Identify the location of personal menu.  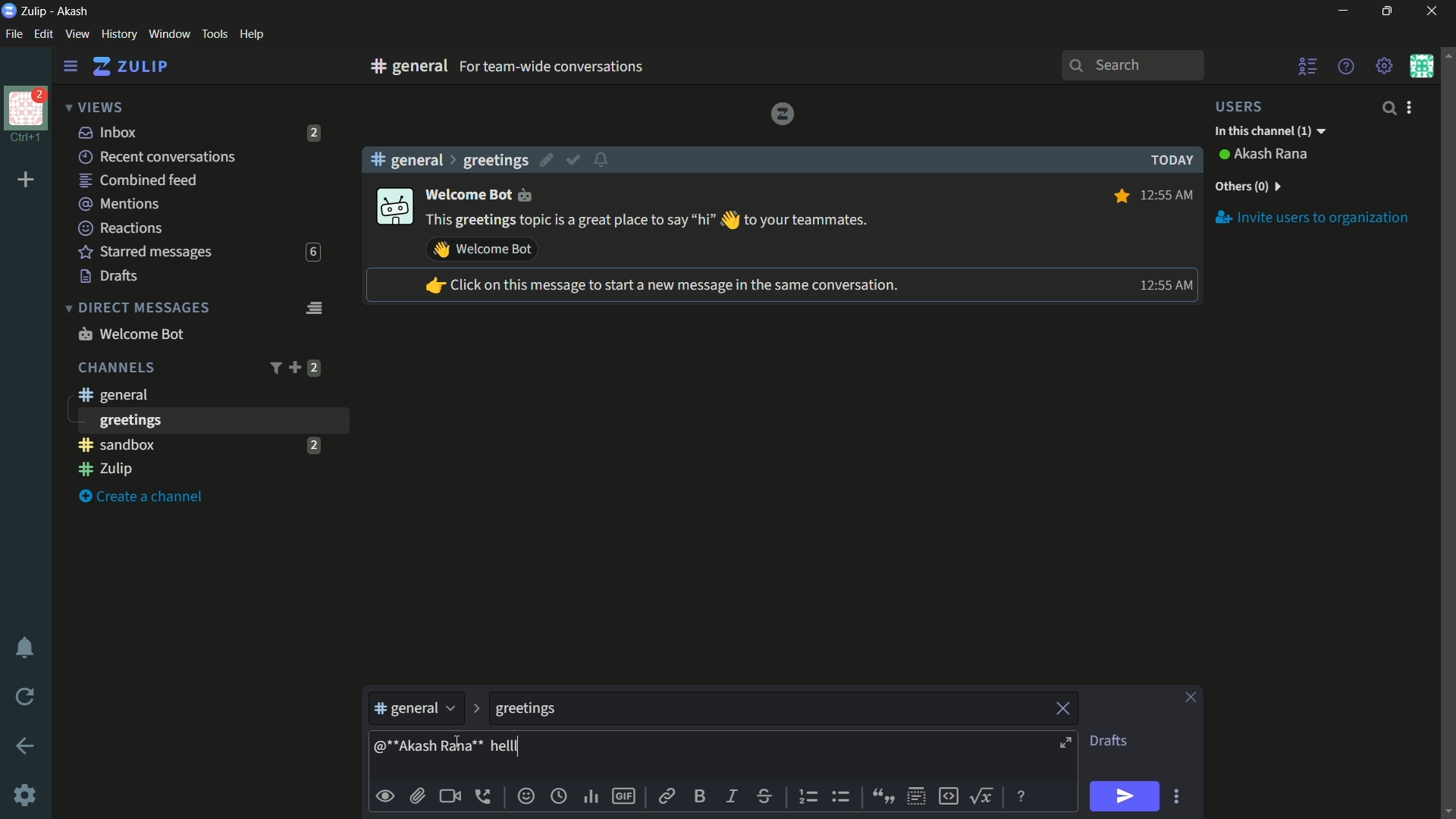
(1421, 66).